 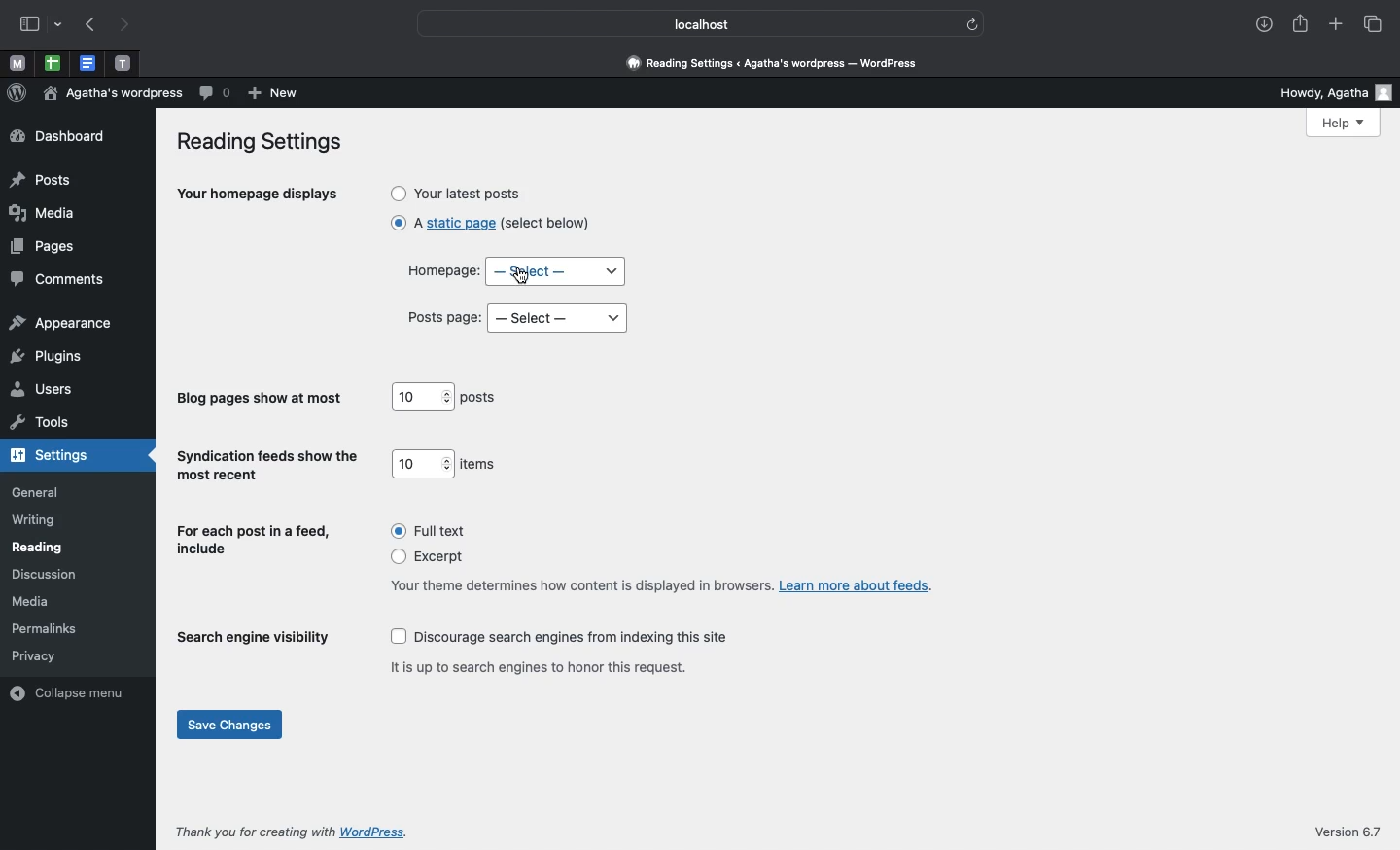 I want to click on posts, so click(x=41, y=182).